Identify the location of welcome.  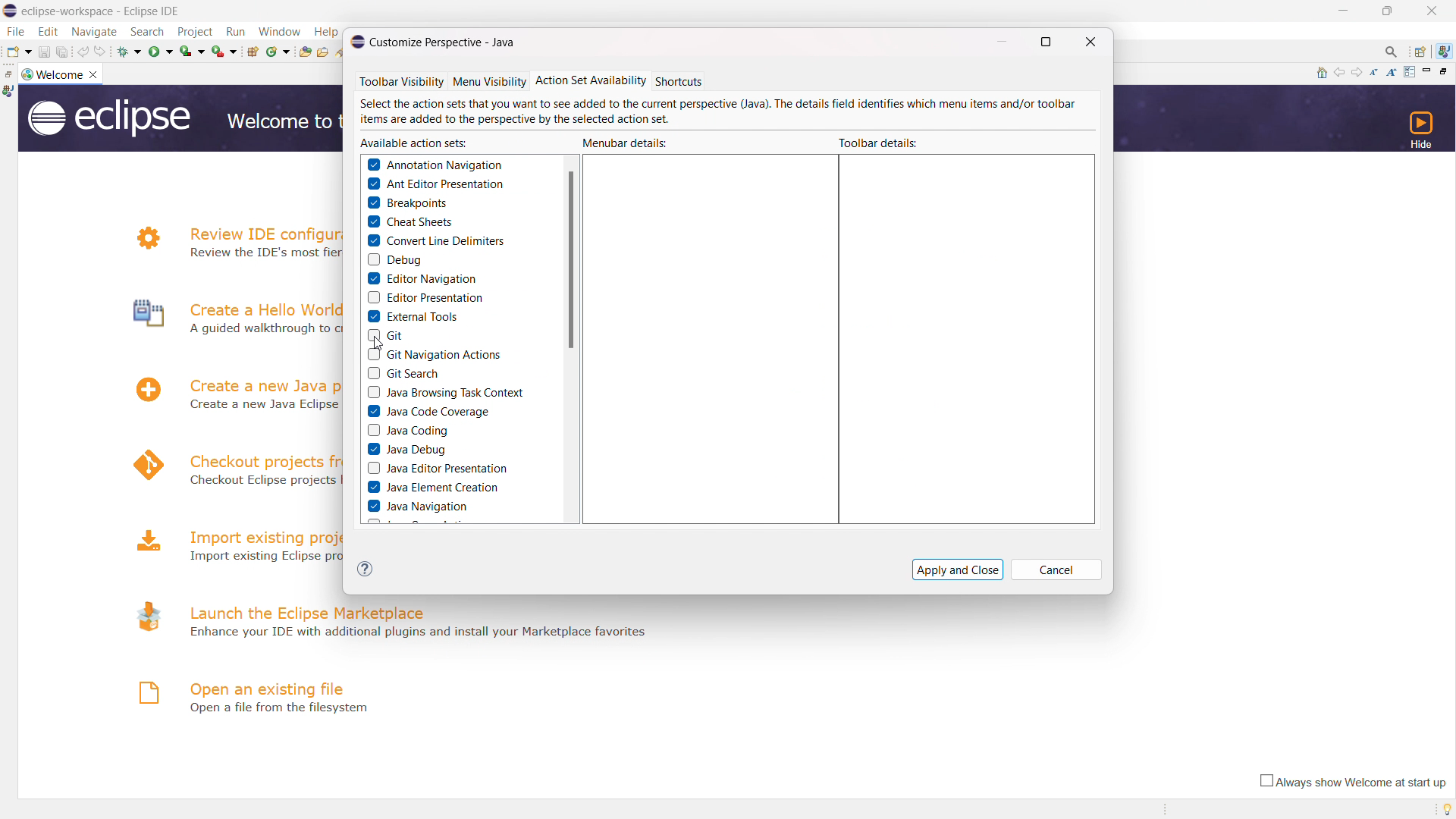
(60, 74).